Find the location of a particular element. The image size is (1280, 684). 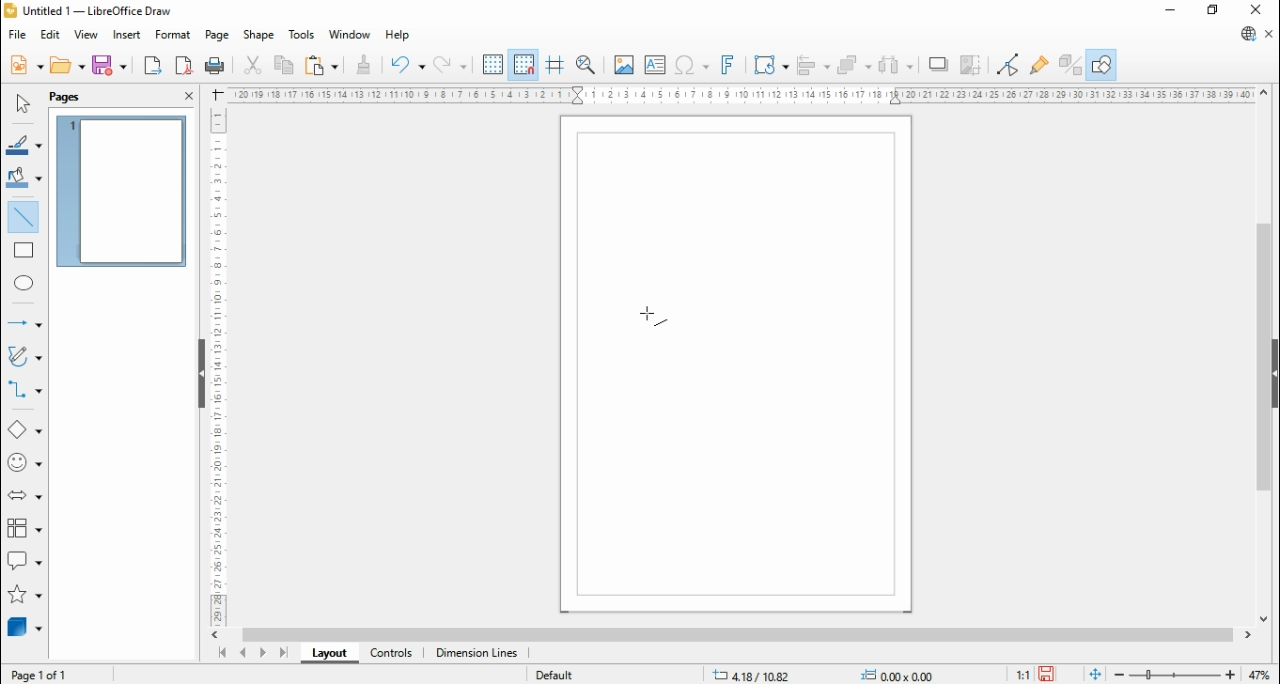

page 1 of 1 is located at coordinates (41, 673).